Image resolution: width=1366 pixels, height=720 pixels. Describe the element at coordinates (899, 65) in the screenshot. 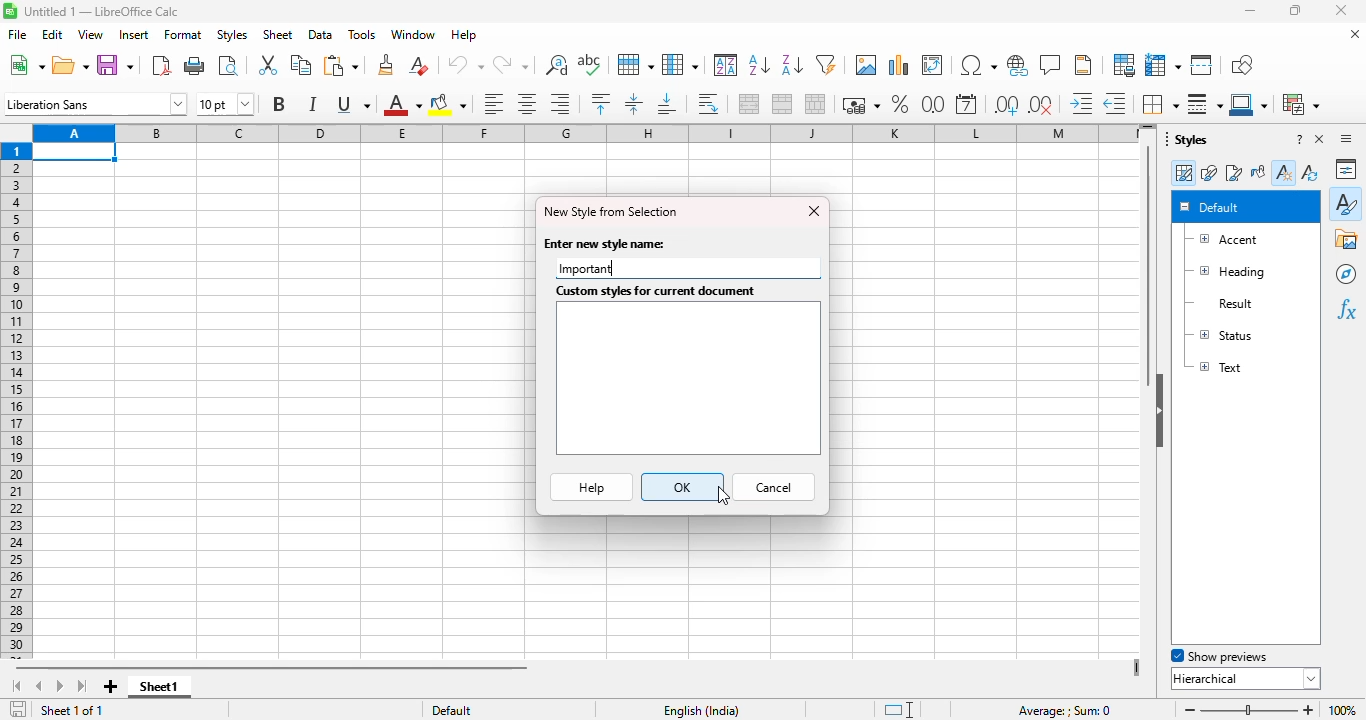

I see `insert chart` at that location.